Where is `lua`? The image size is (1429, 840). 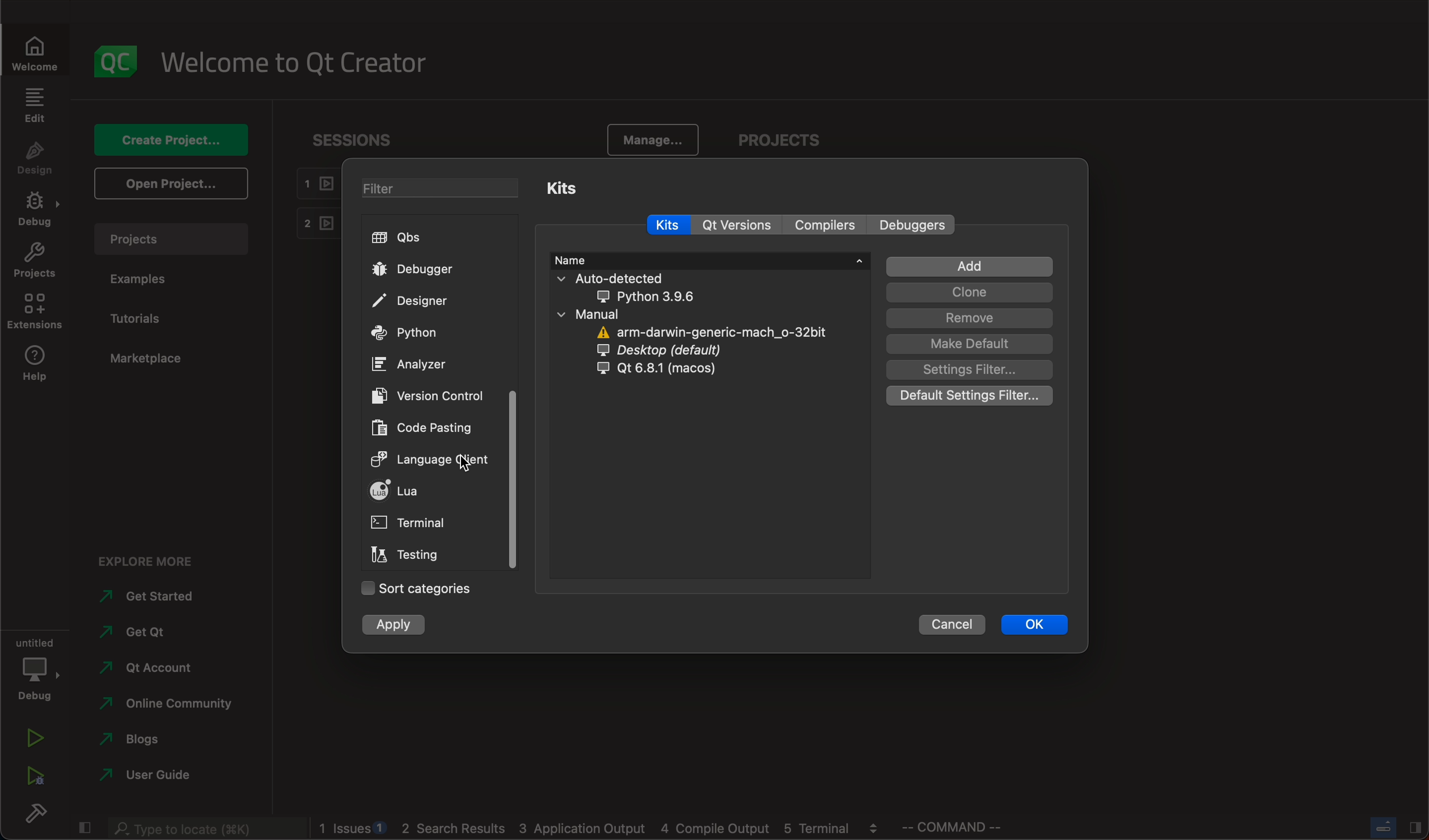
lua is located at coordinates (407, 490).